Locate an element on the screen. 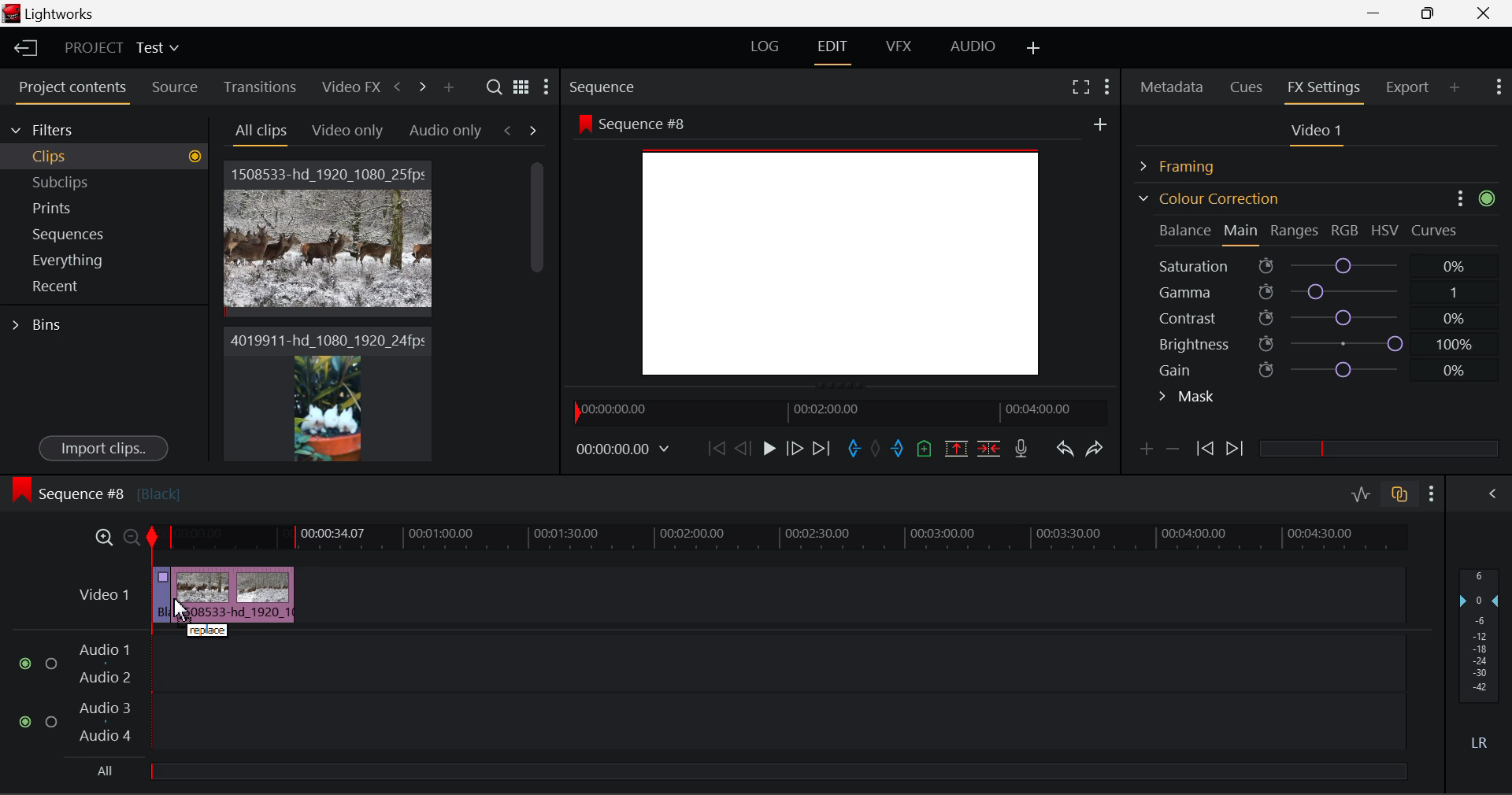  Timeline Zoom In is located at coordinates (101, 537).